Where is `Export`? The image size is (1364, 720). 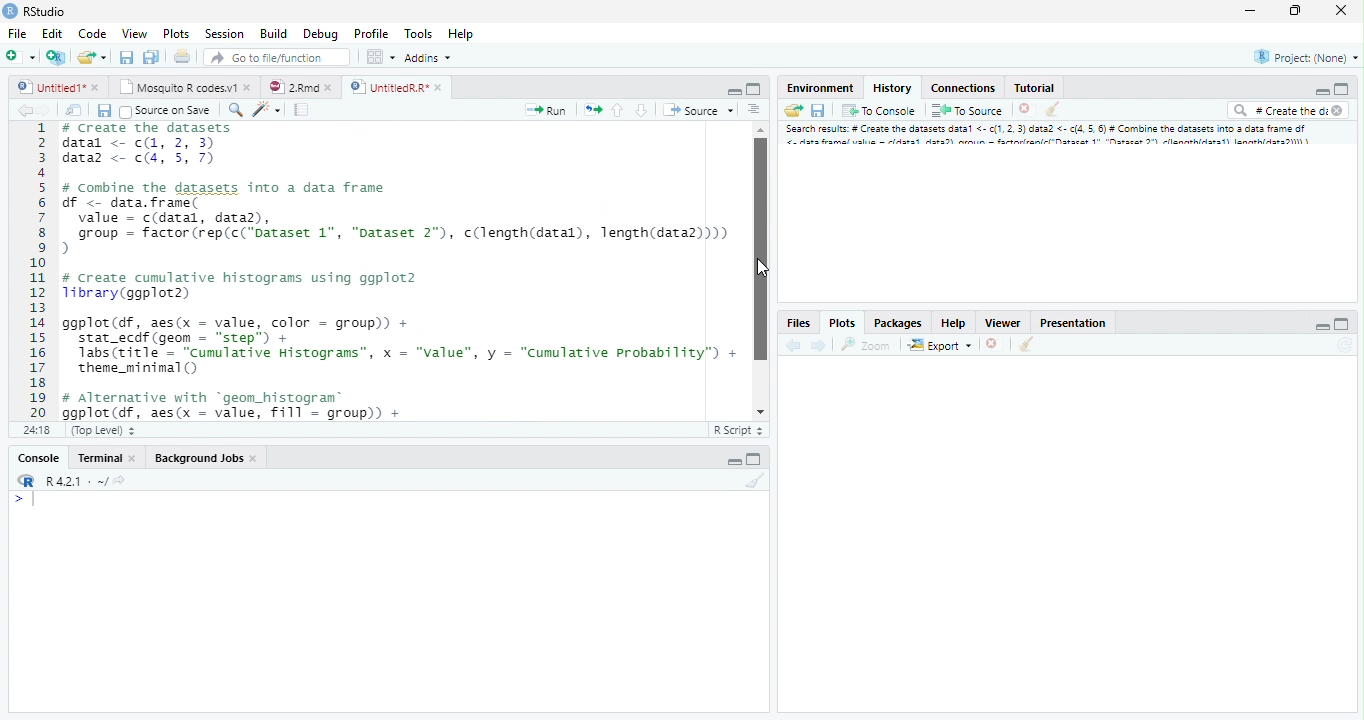 Export is located at coordinates (940, 345).